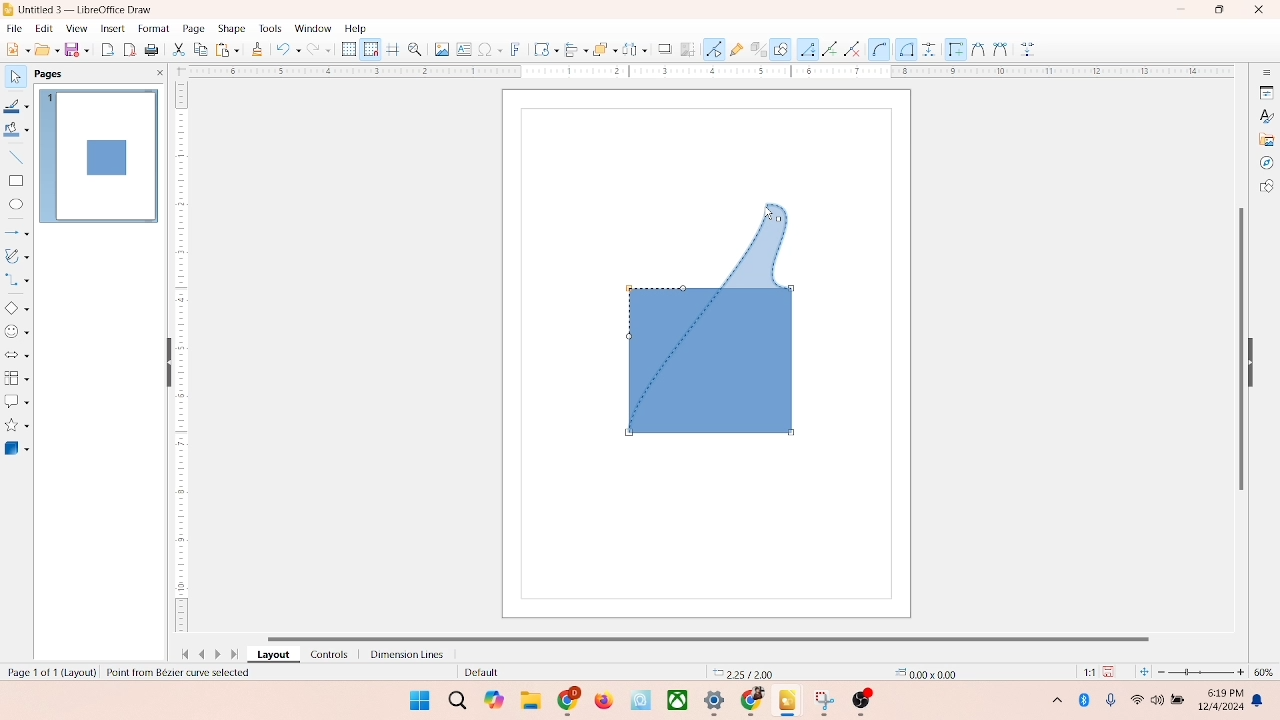 This screenshot has width=1280, height=720. I want to click on Bluetooth, so click(1088, 700).